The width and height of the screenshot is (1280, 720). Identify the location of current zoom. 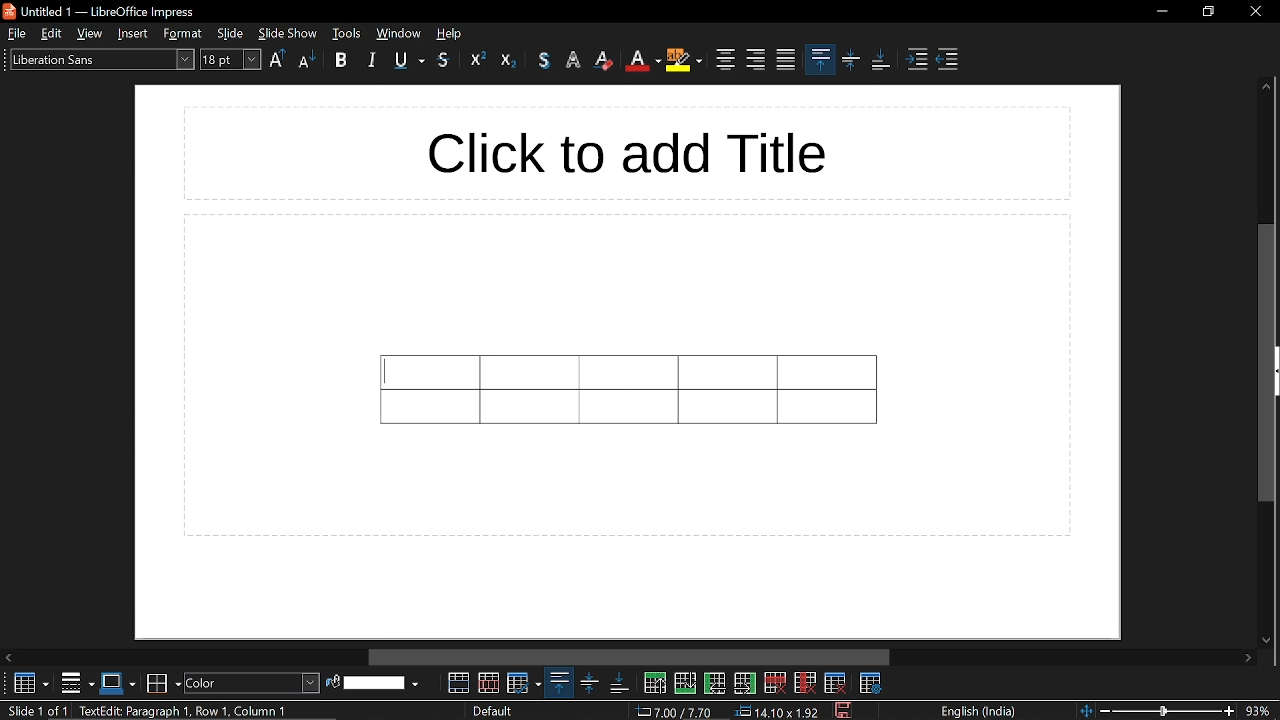
(1263, 710).